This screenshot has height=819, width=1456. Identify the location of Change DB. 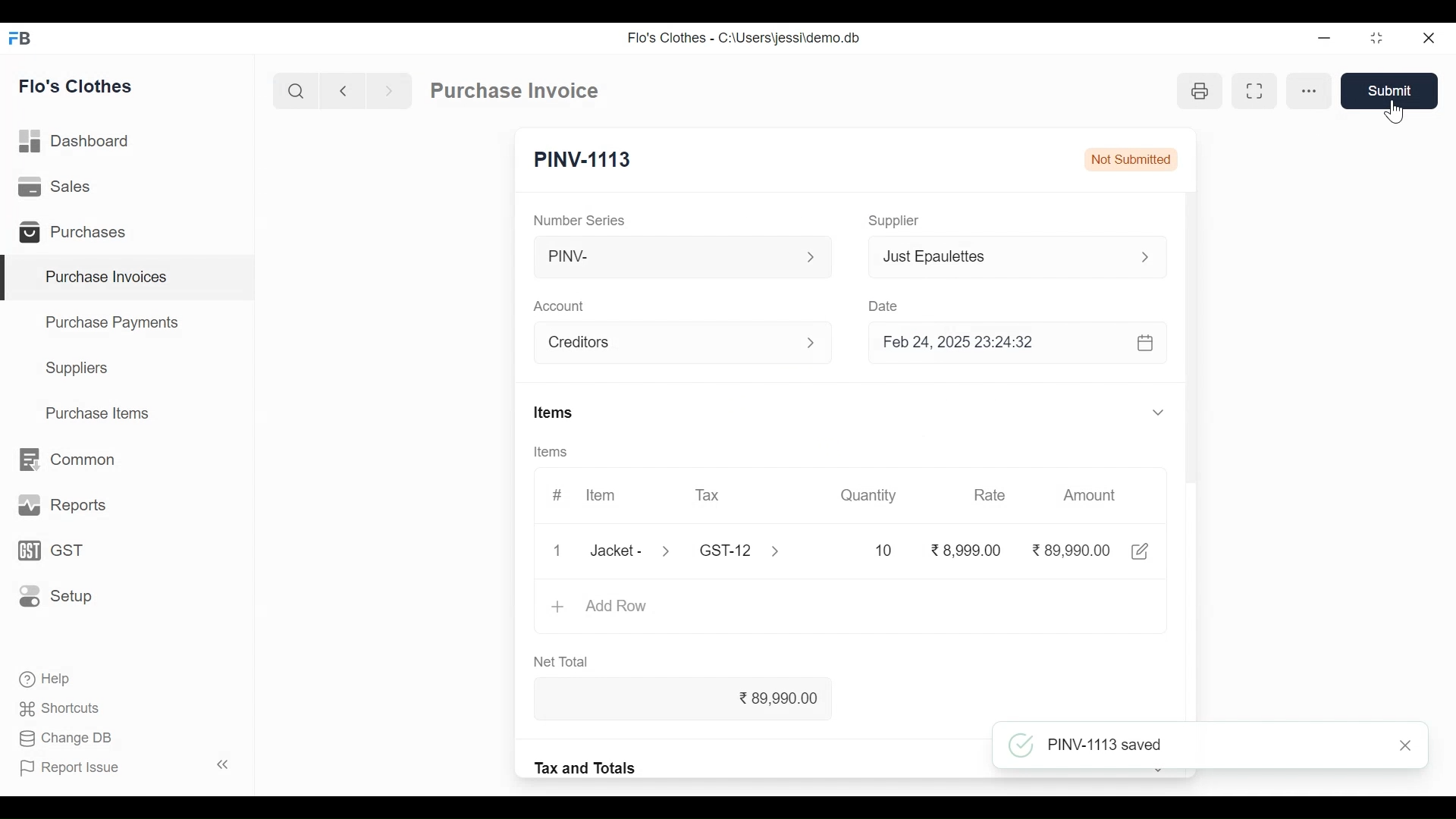
(67, 738).